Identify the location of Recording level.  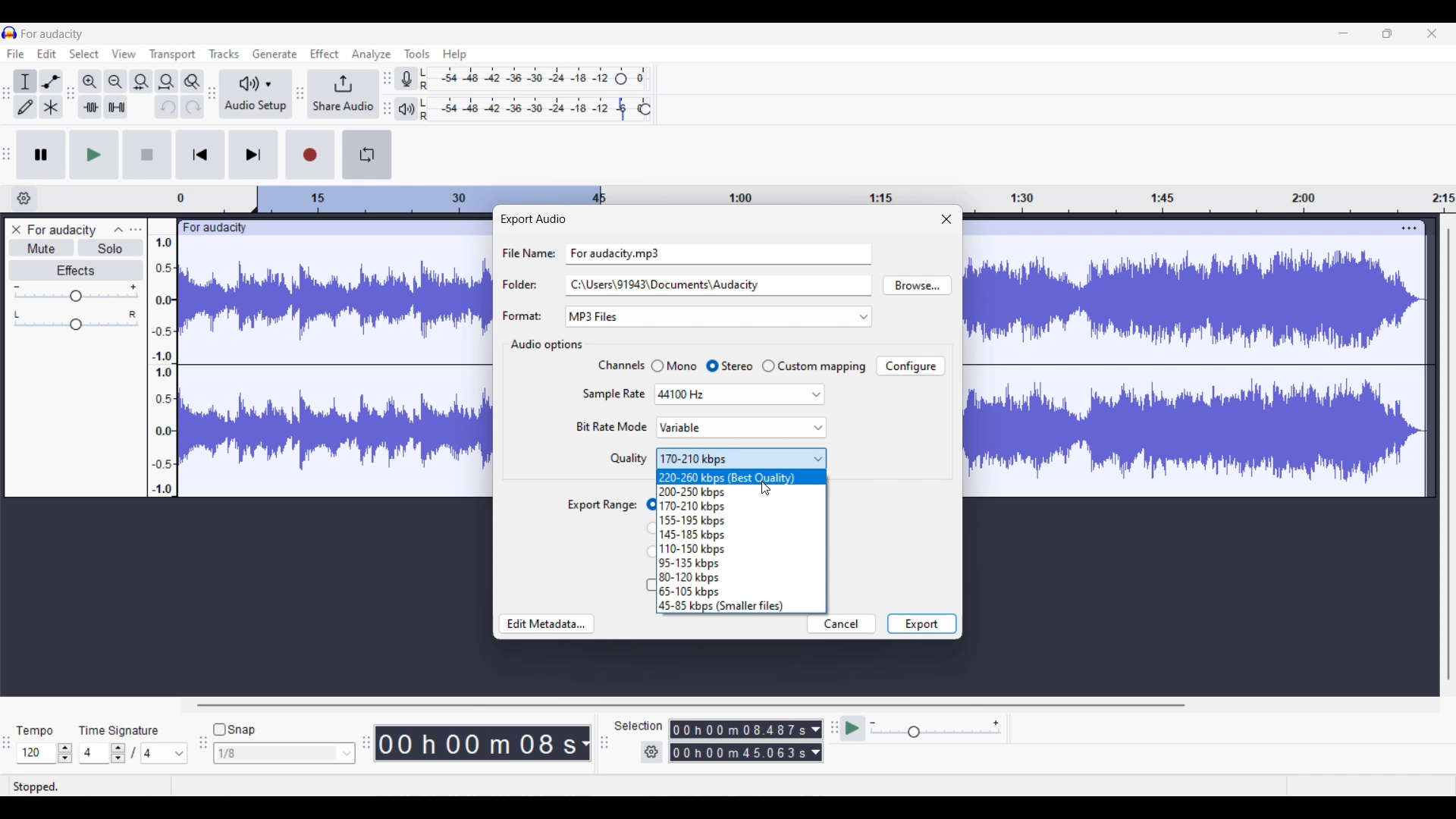
(516, 79).